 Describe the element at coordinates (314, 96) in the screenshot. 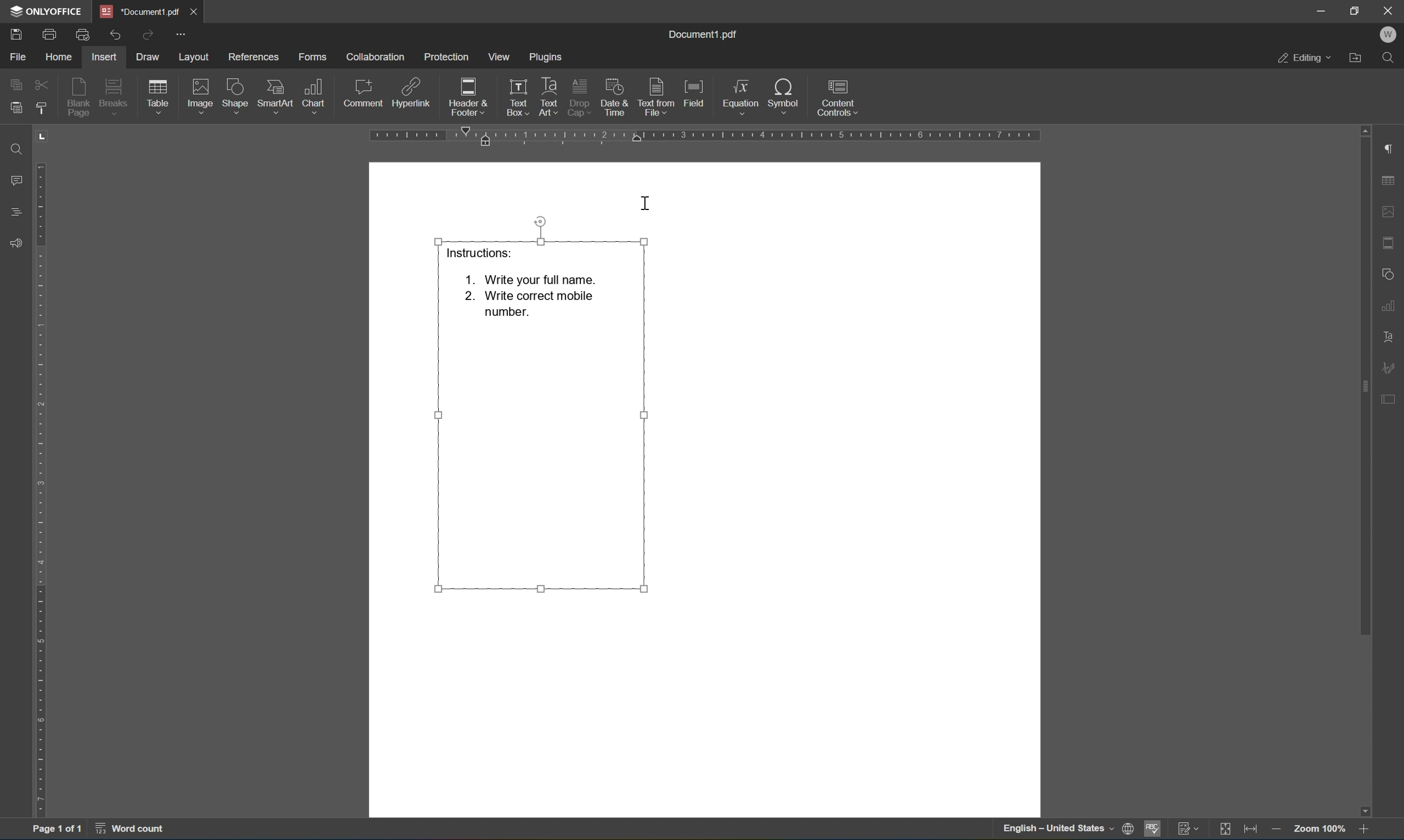

I see `chart` at that location.